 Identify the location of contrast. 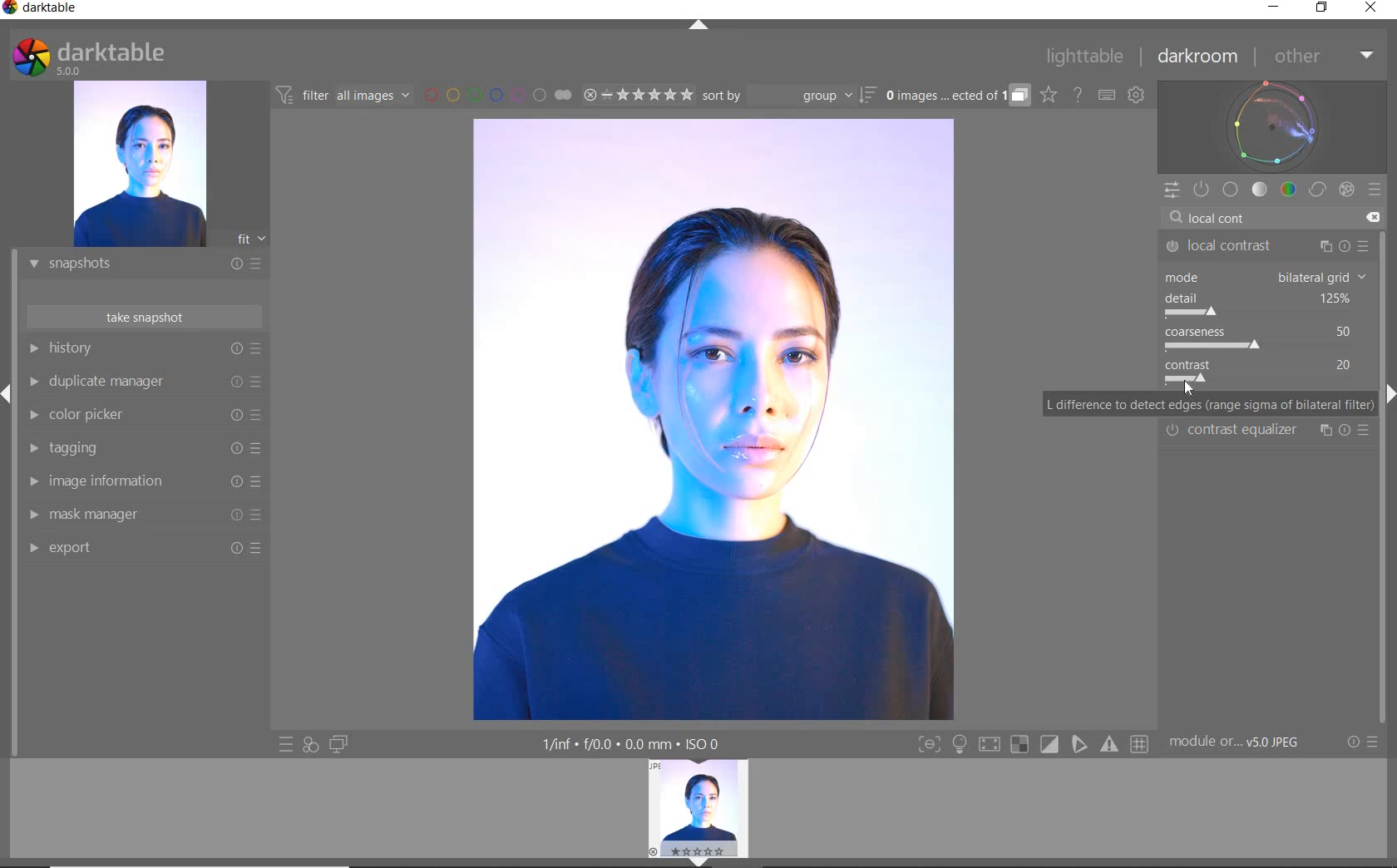
(1265, 372).